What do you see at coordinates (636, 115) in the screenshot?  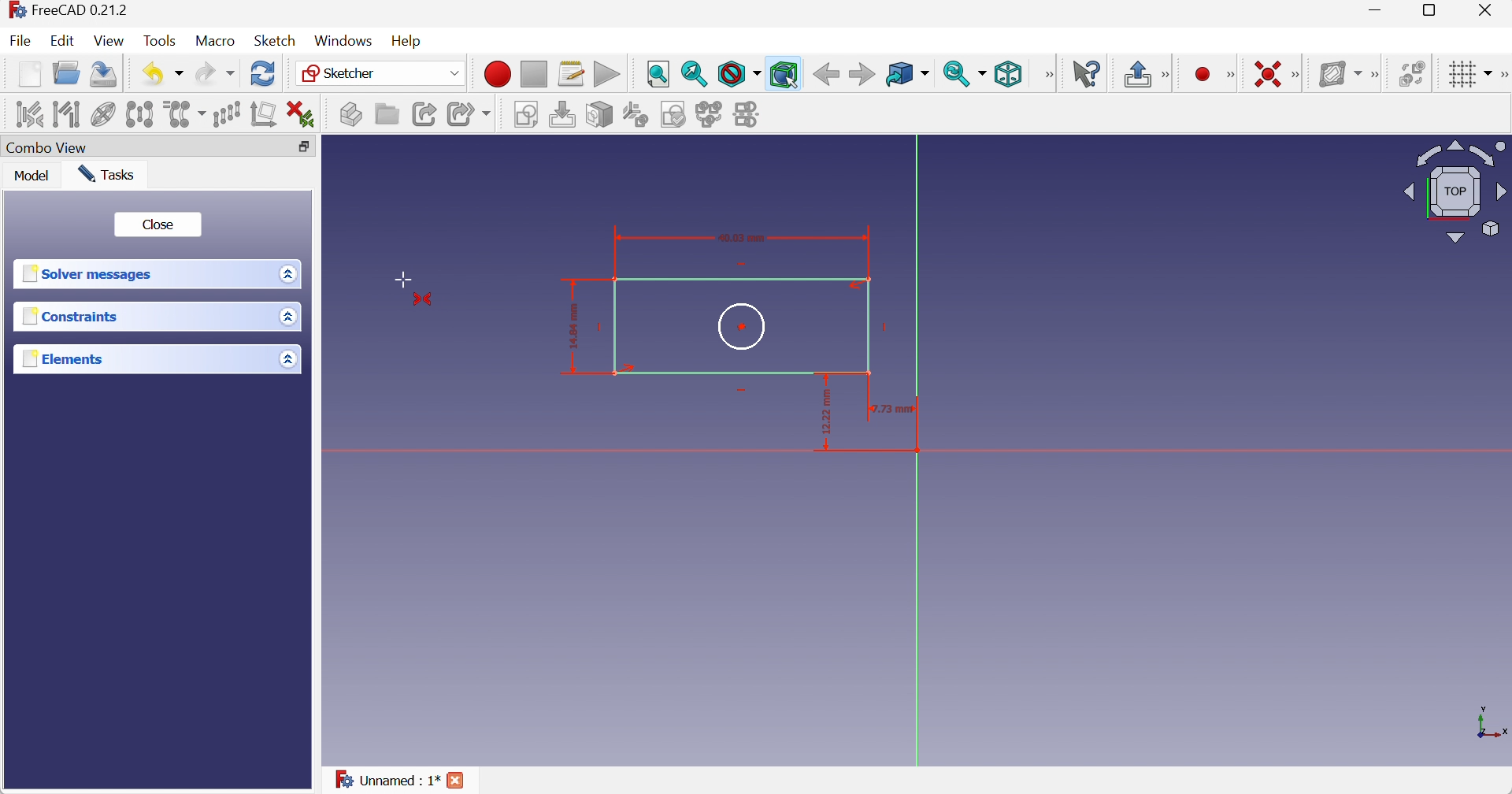 I see `Reorient sketch...` at bounding box center [636, 115].